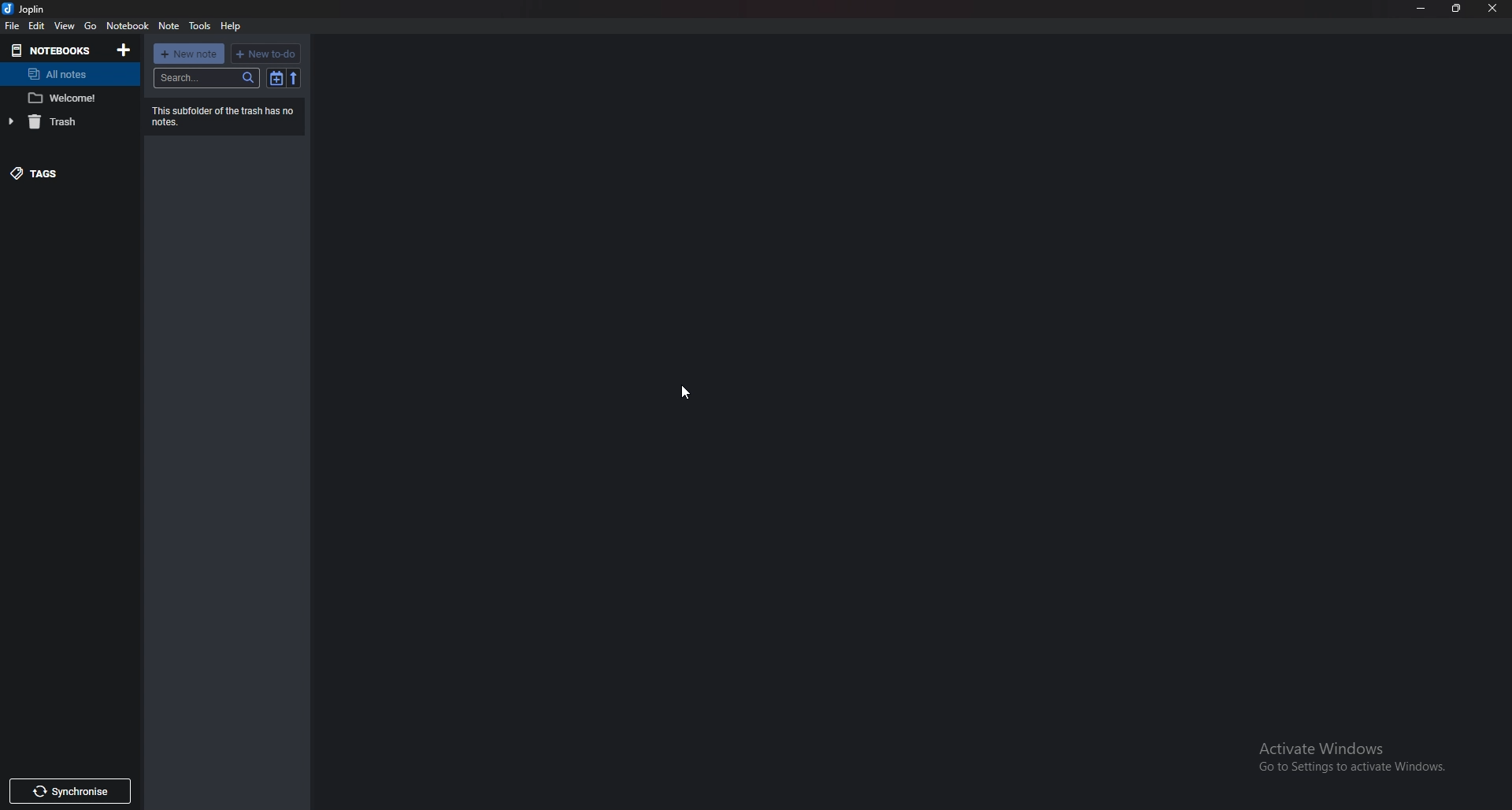 This screenshot has height=810, width=1512. Describe the element at coordinates (36, 26) in the screenshot. I see `edit` at that location.